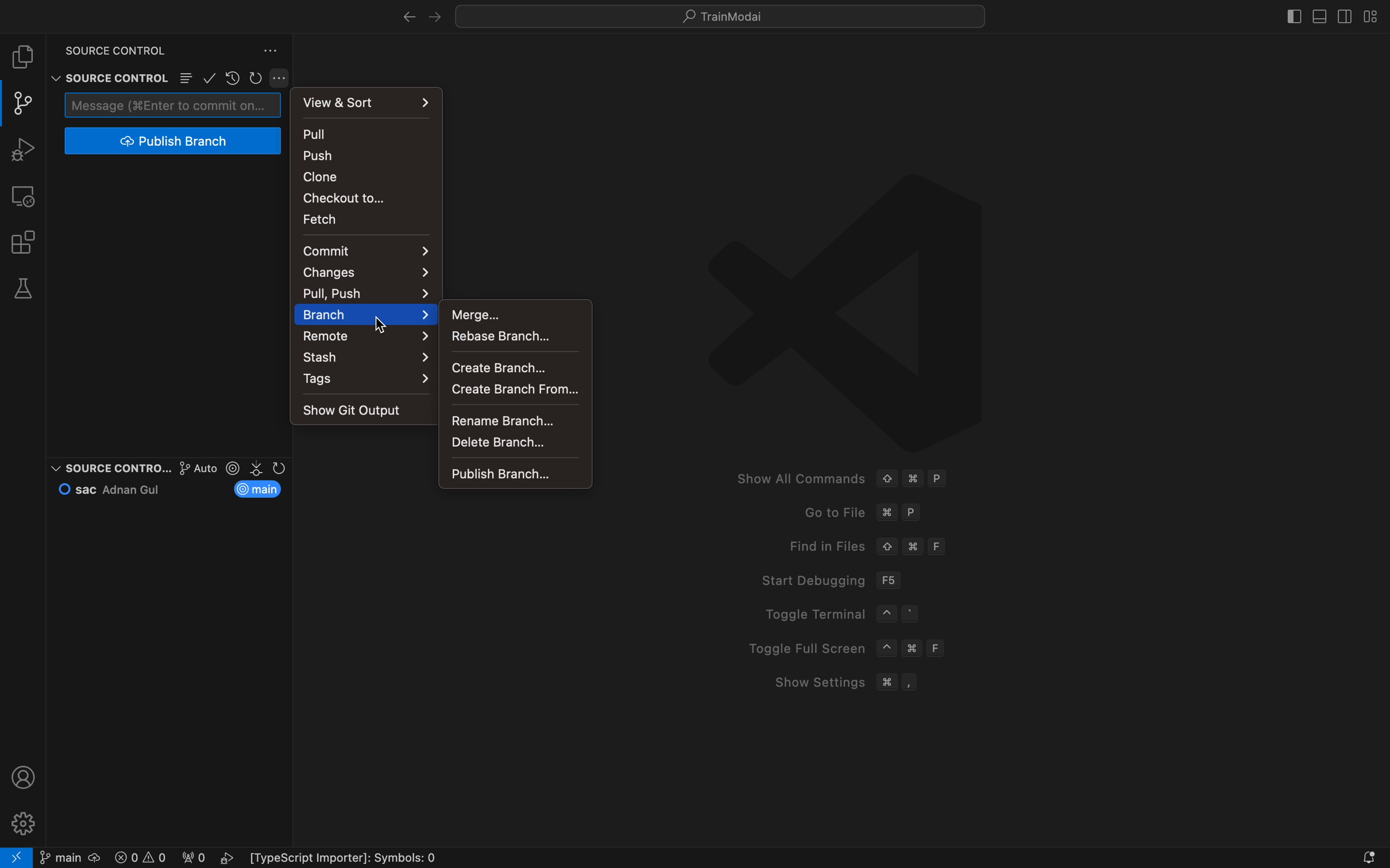 This screenshot has height=868, width=1390. I want to click on toggle primary bar, so click(1321, 15).